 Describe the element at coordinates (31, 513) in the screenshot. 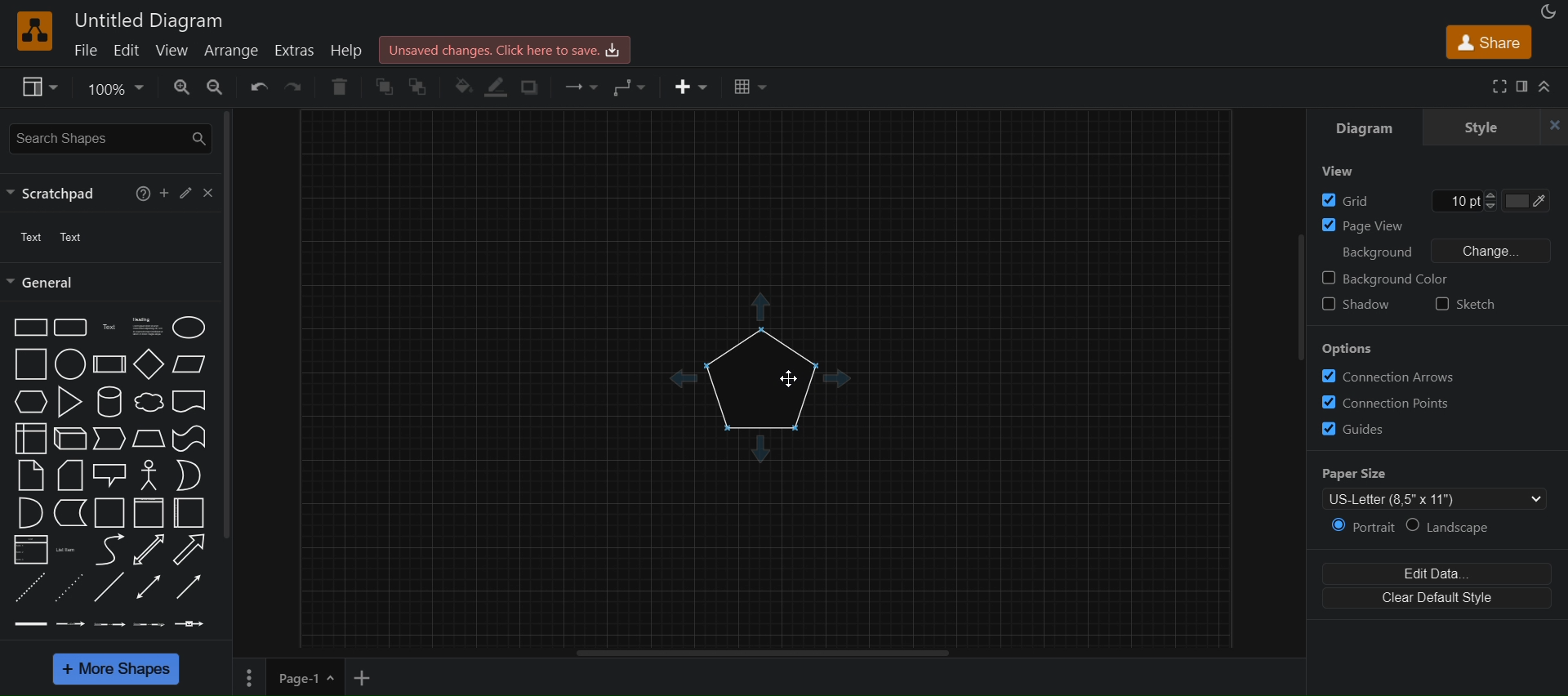

I see `And` at that location.